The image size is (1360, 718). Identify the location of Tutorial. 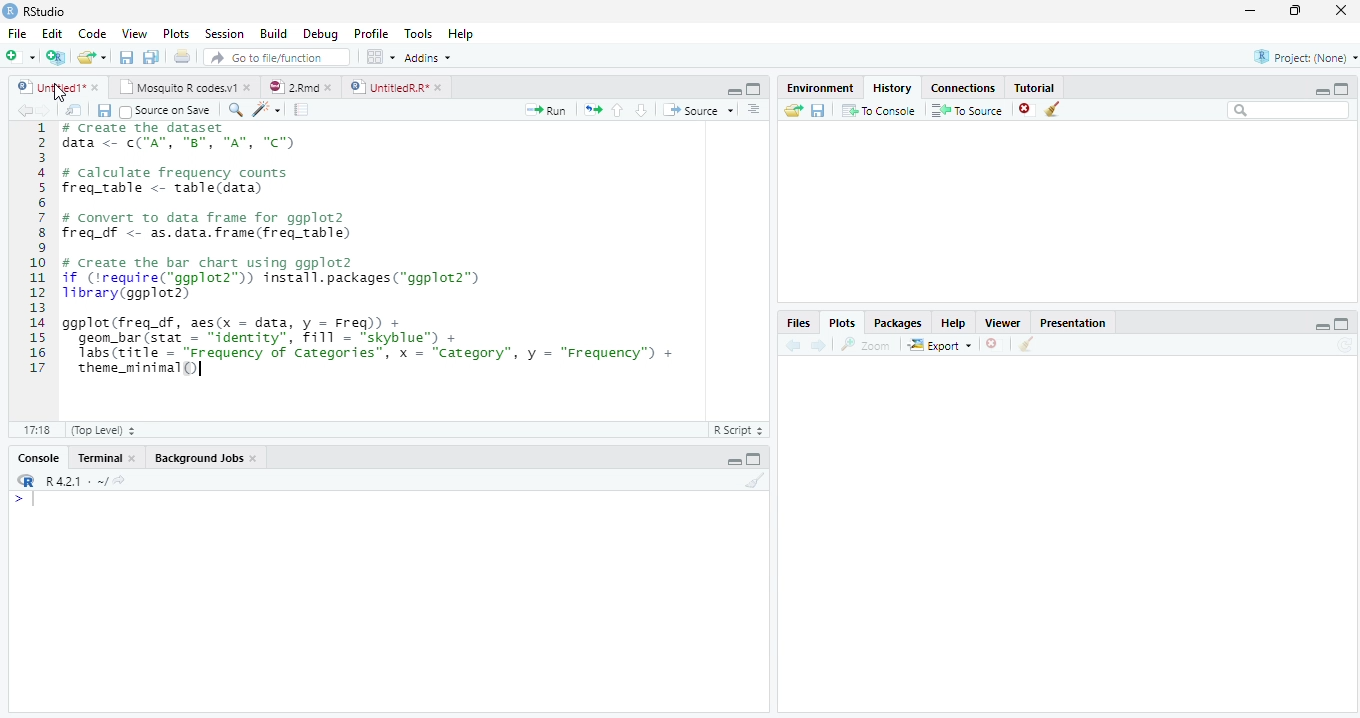
(1035, 87).